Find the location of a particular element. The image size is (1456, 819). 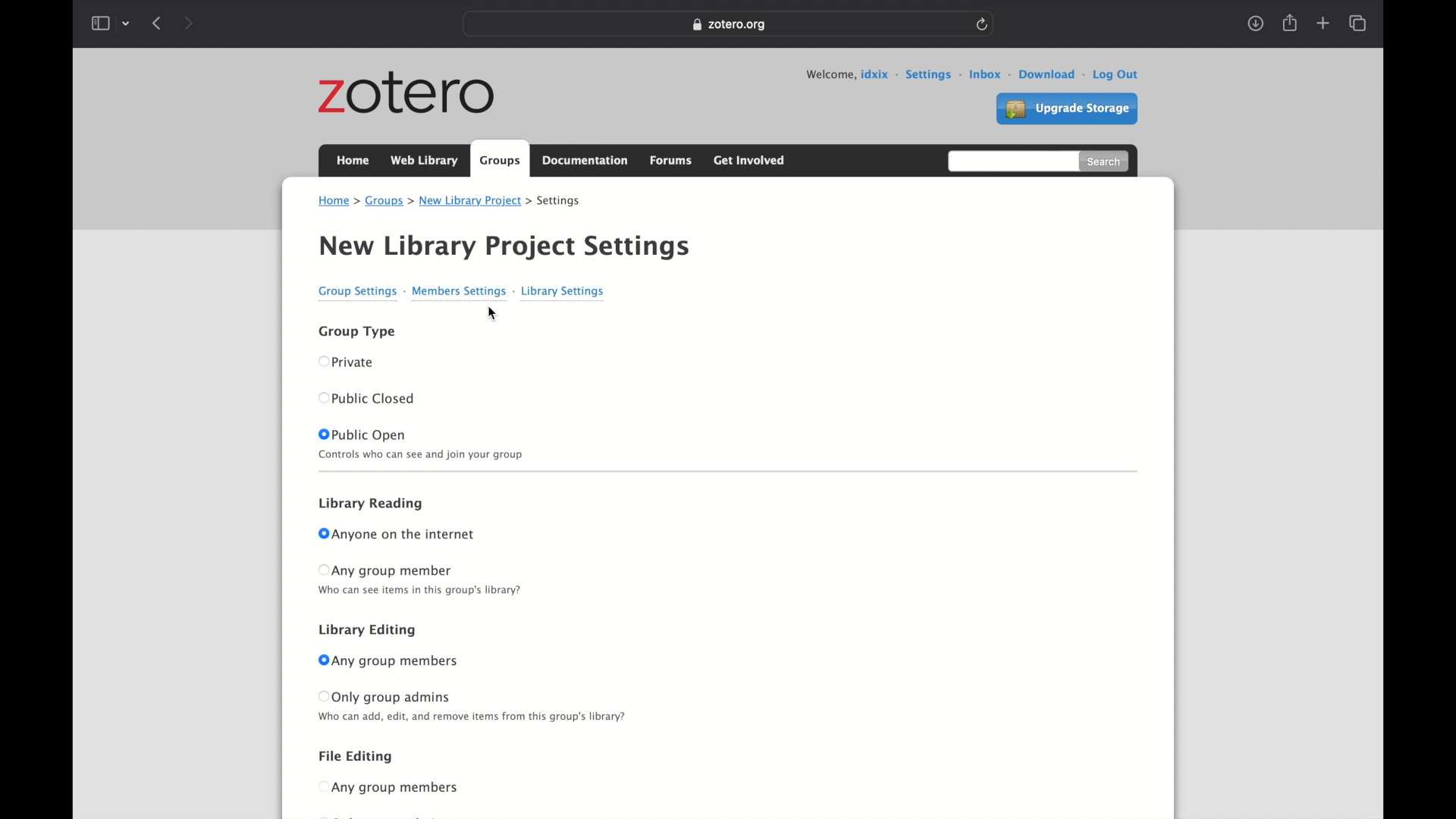

get involved is located at coordinates (748, 158).